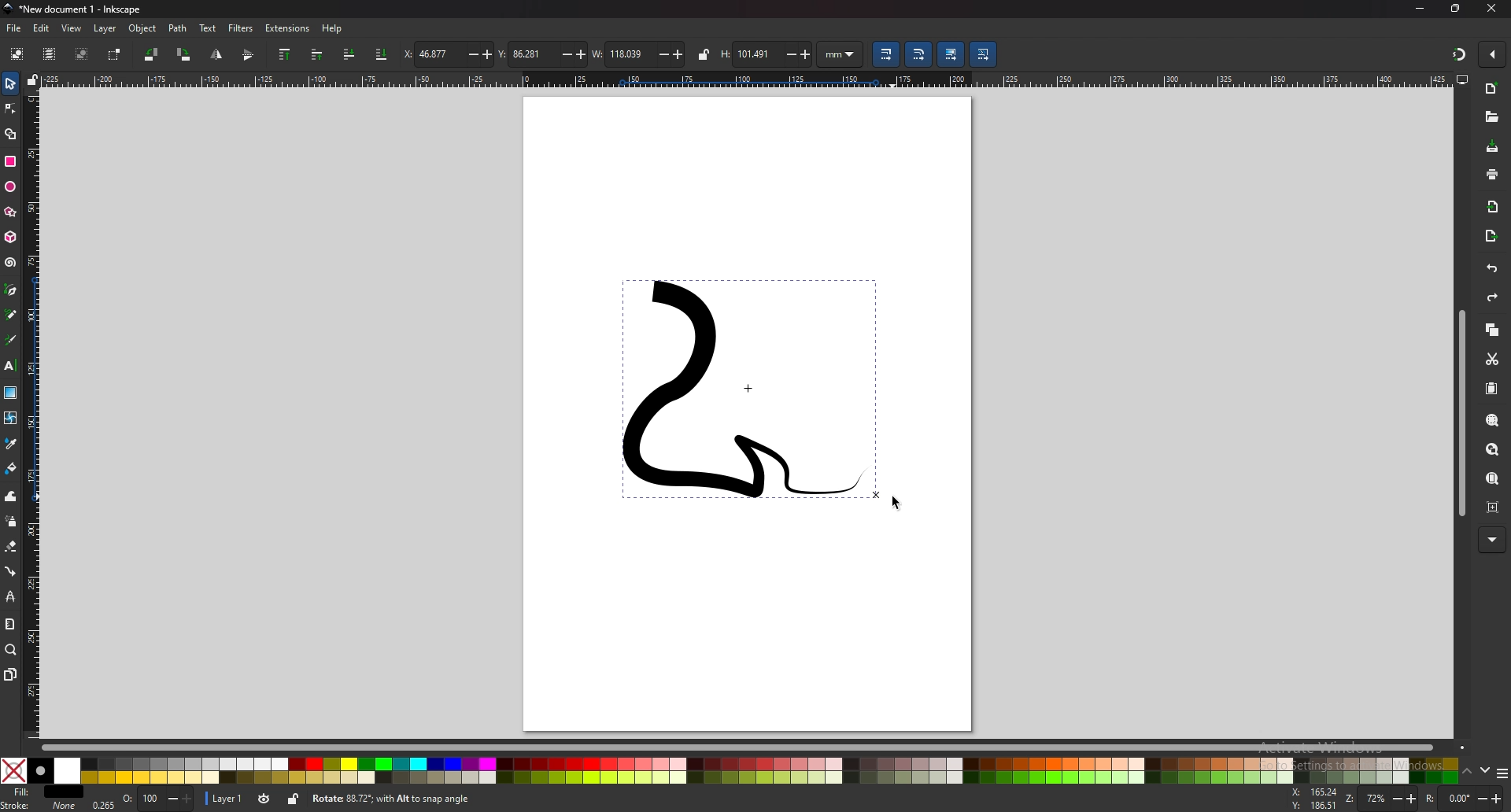 The width and height of the screenshot is (1511, 812). Describe the element at coordinates (1493, 90) in the screenshot. I see `new` at that location.